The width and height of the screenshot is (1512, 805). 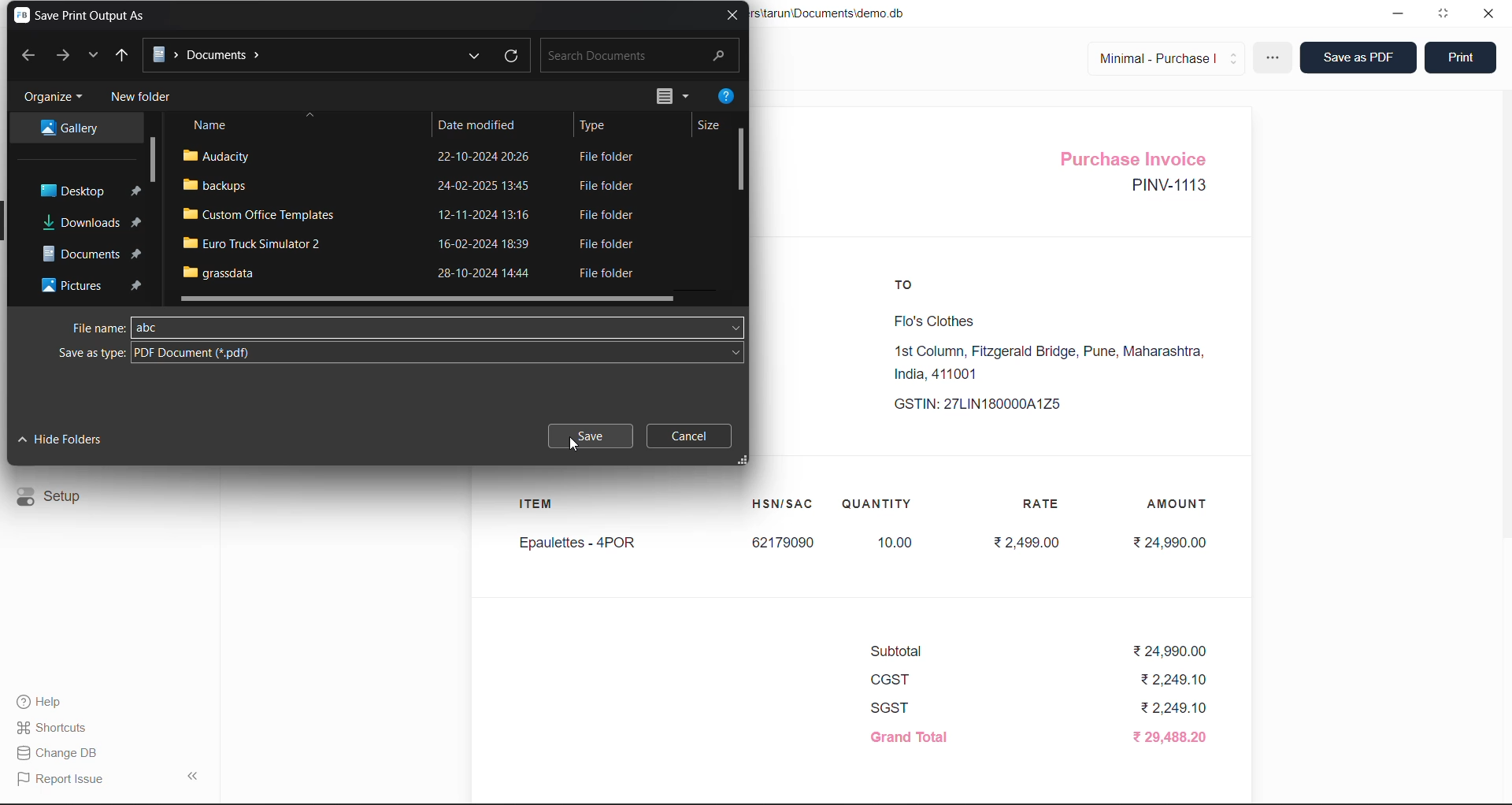 What do you see at coordinates (87, 17) in the screenshot?
I see ` Save Print Output As` at bounding box center [87, 17].